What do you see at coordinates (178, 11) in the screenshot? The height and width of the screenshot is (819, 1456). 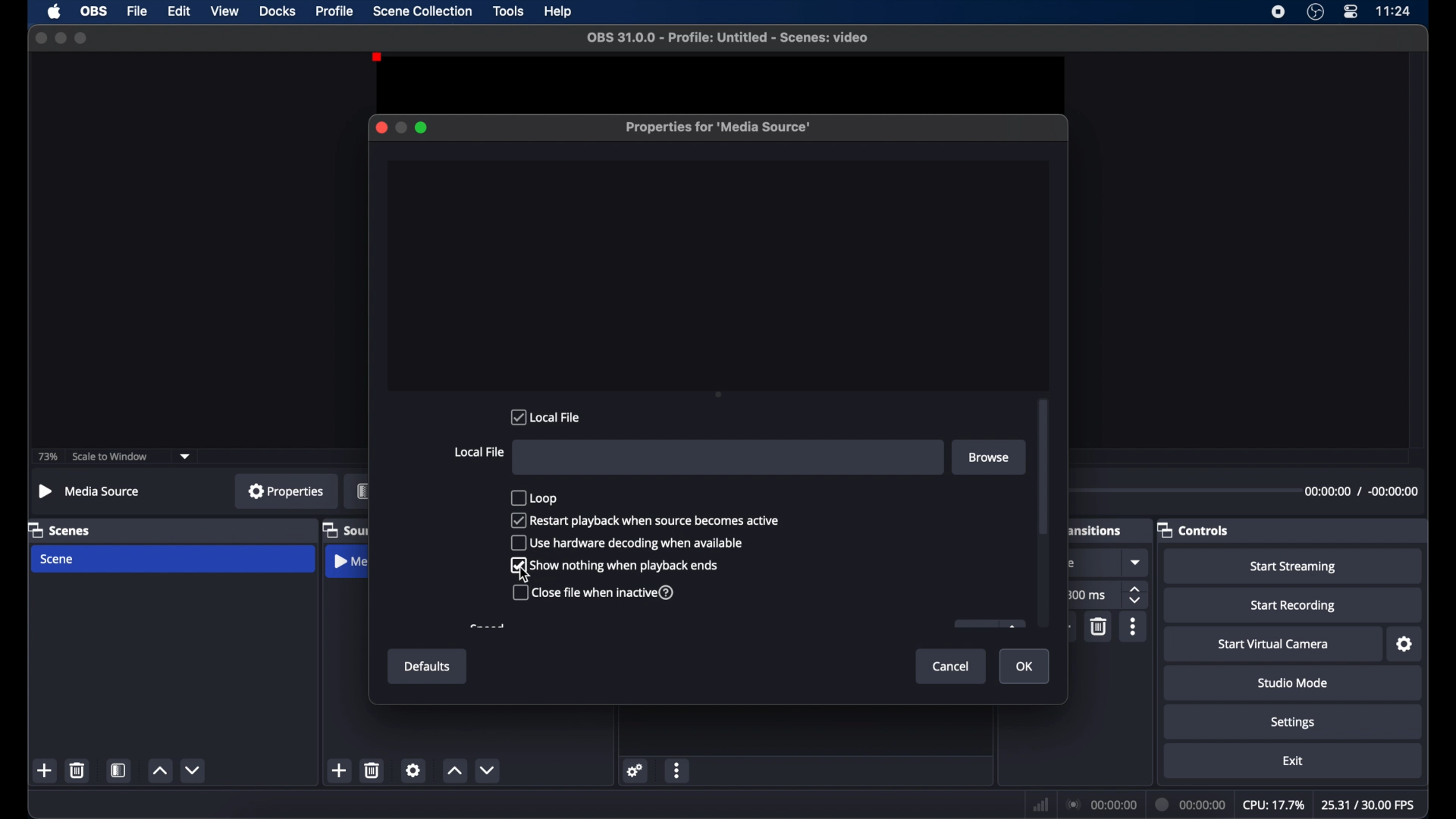 I see `edit` at bounding box center [178, 11].